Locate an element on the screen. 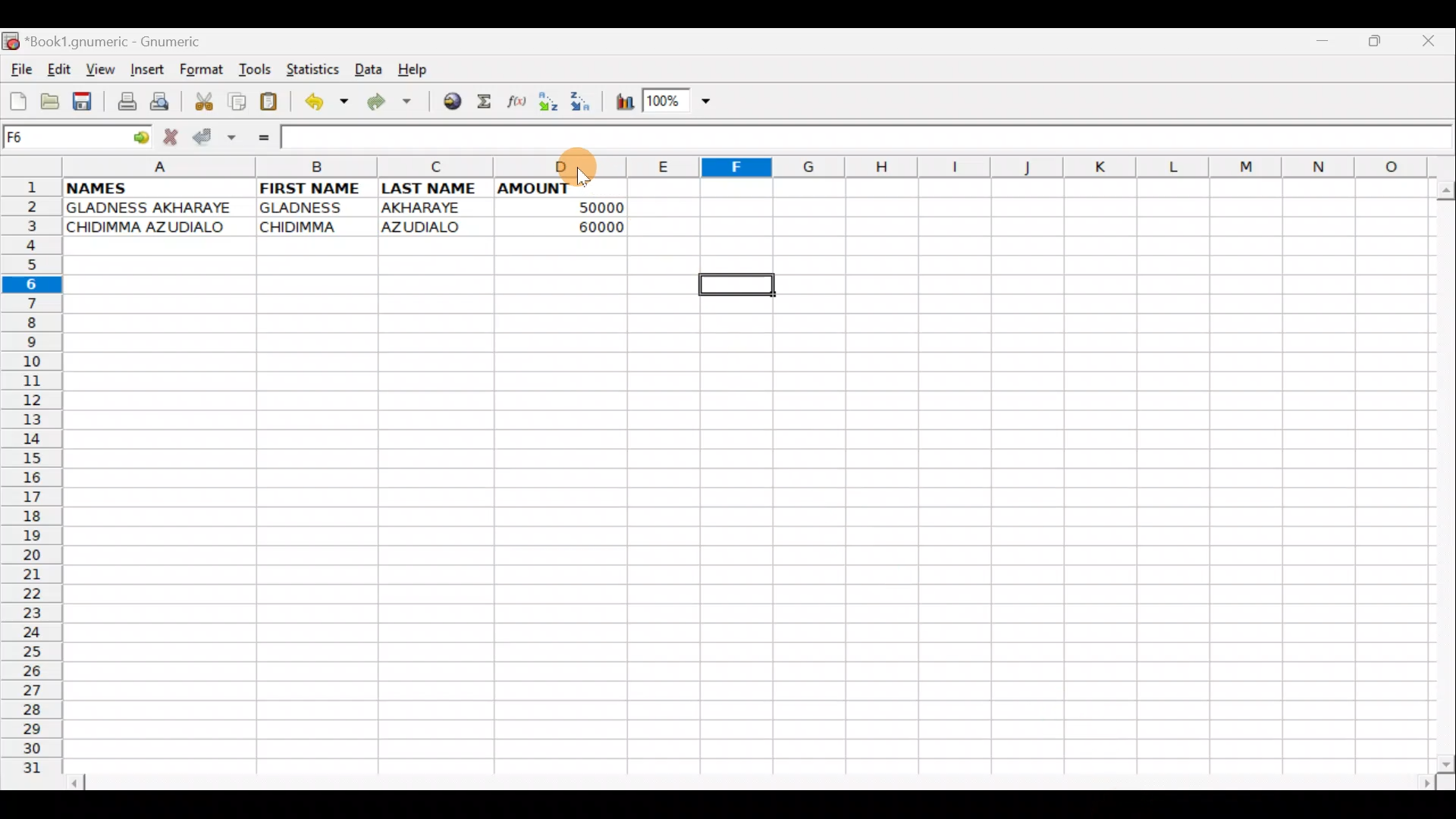 This screenshot has width=1456, height=819. AMOUNT is located at coordinates (551, 187).